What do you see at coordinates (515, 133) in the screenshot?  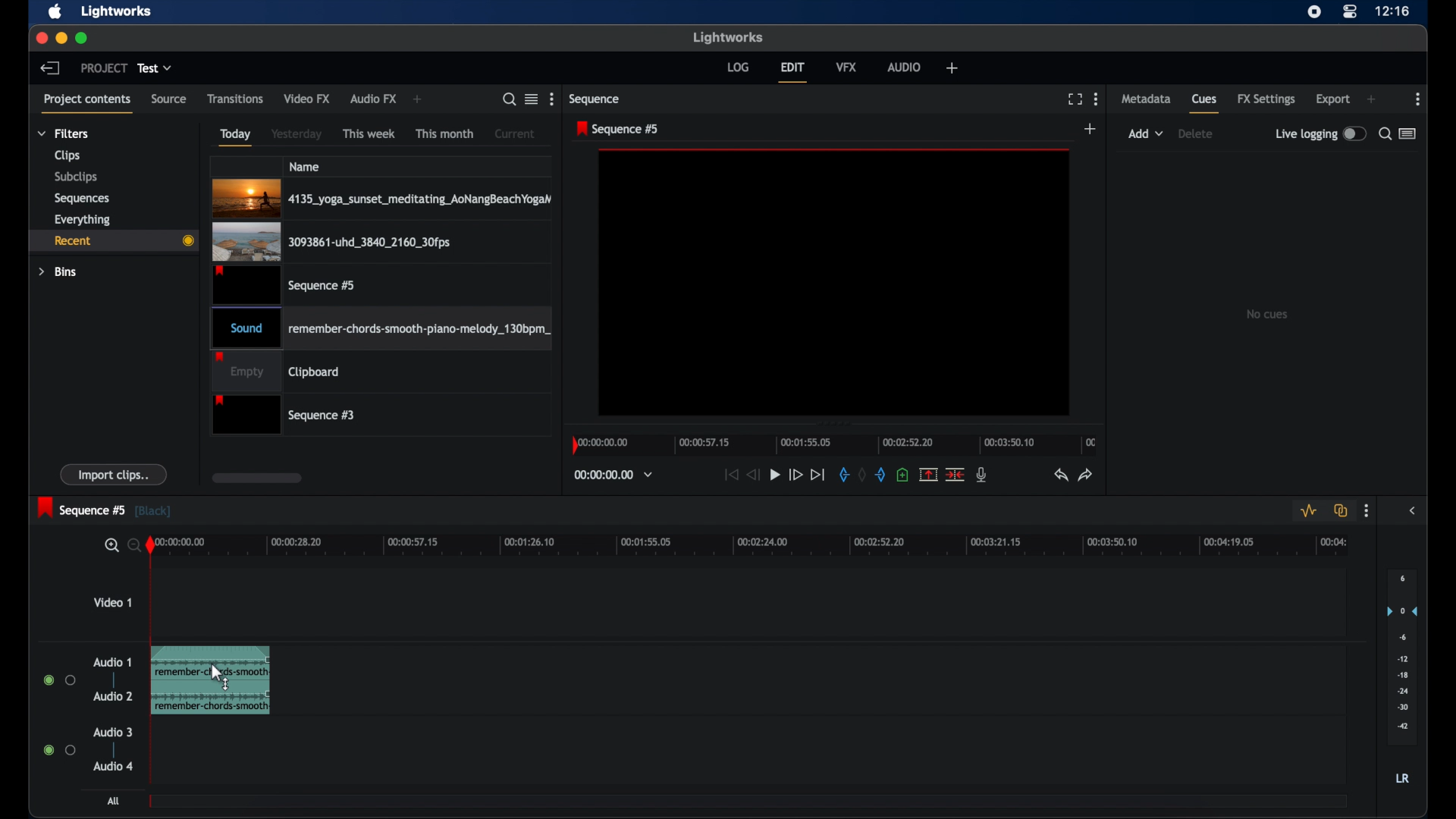 I see `current` at bounding box center [515, 133].